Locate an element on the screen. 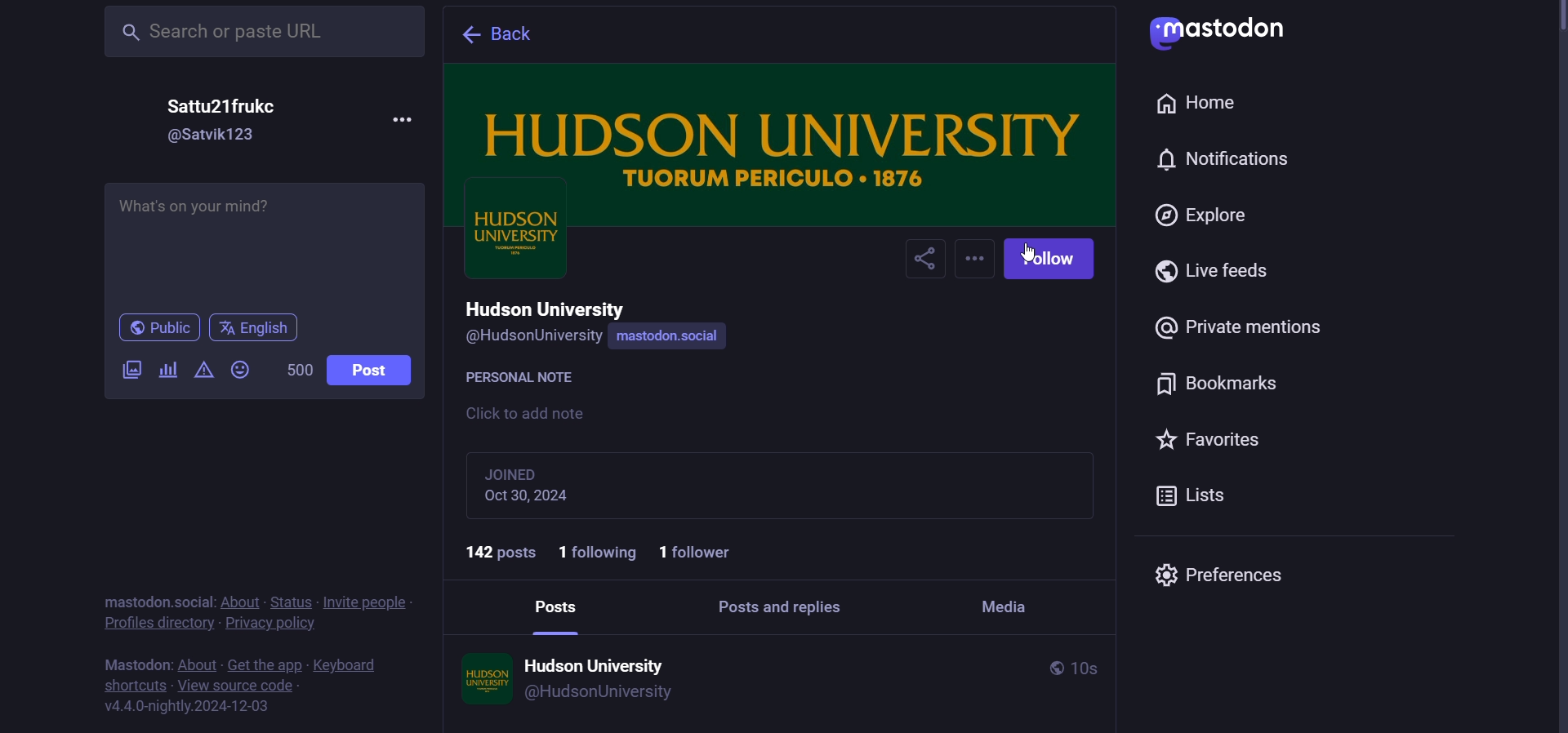 Image resolution: width=1568 pixels, height=733 pixels. view source code is located at coordinates (238, 686).